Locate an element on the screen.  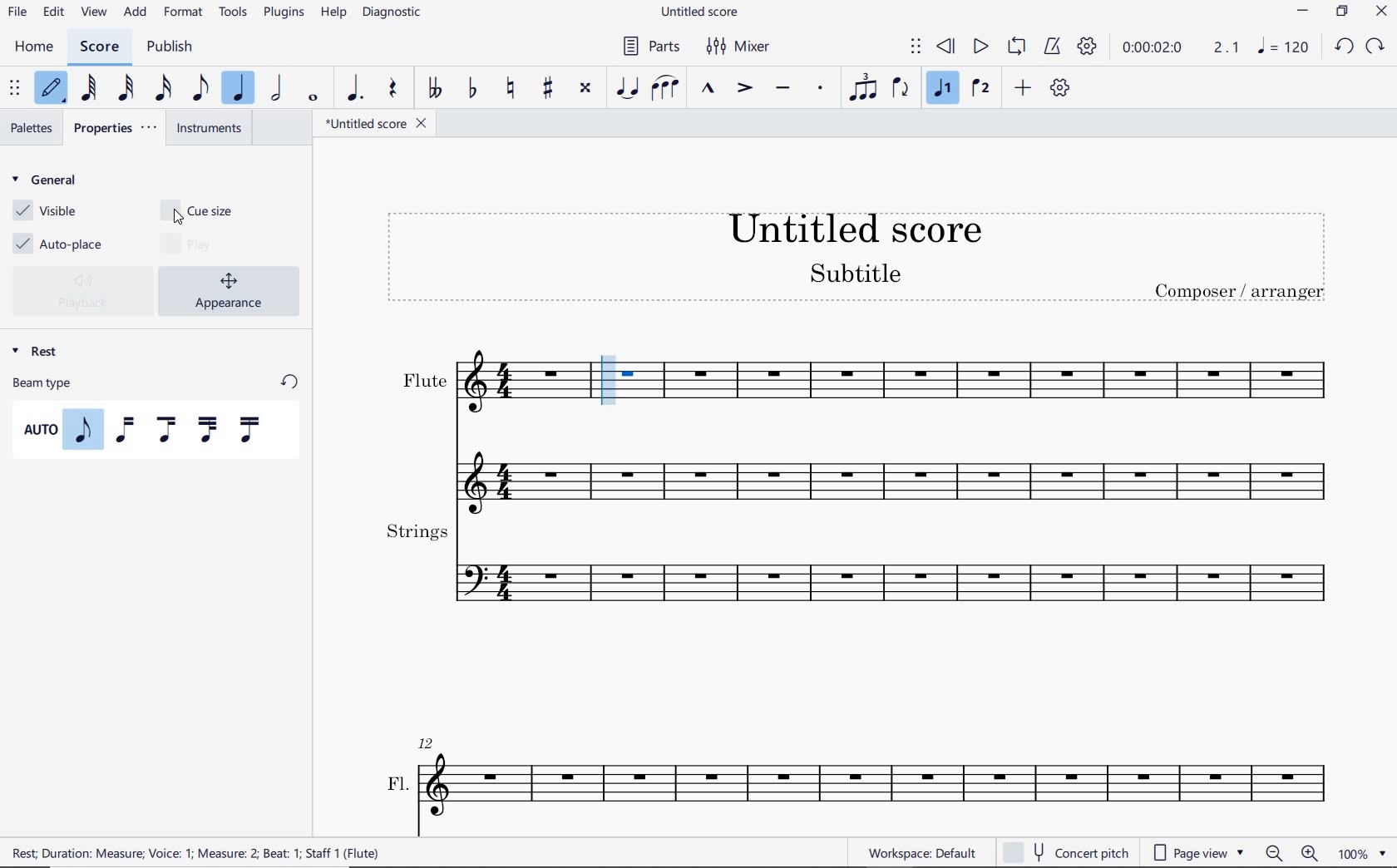
TOGGLE FLAT is located at coordinates (471, 89).